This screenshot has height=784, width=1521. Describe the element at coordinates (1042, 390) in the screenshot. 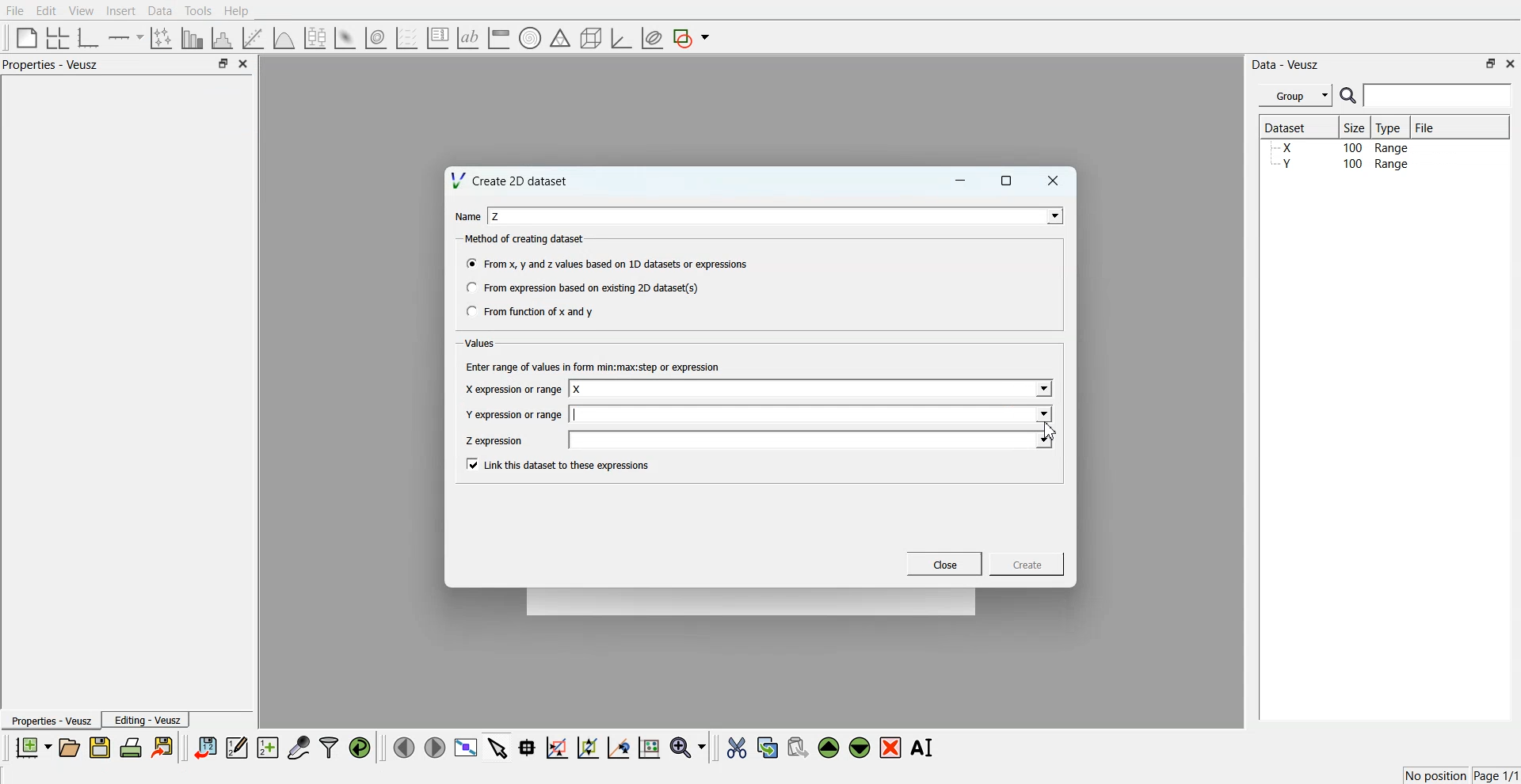

I see `Drop down` at that location.